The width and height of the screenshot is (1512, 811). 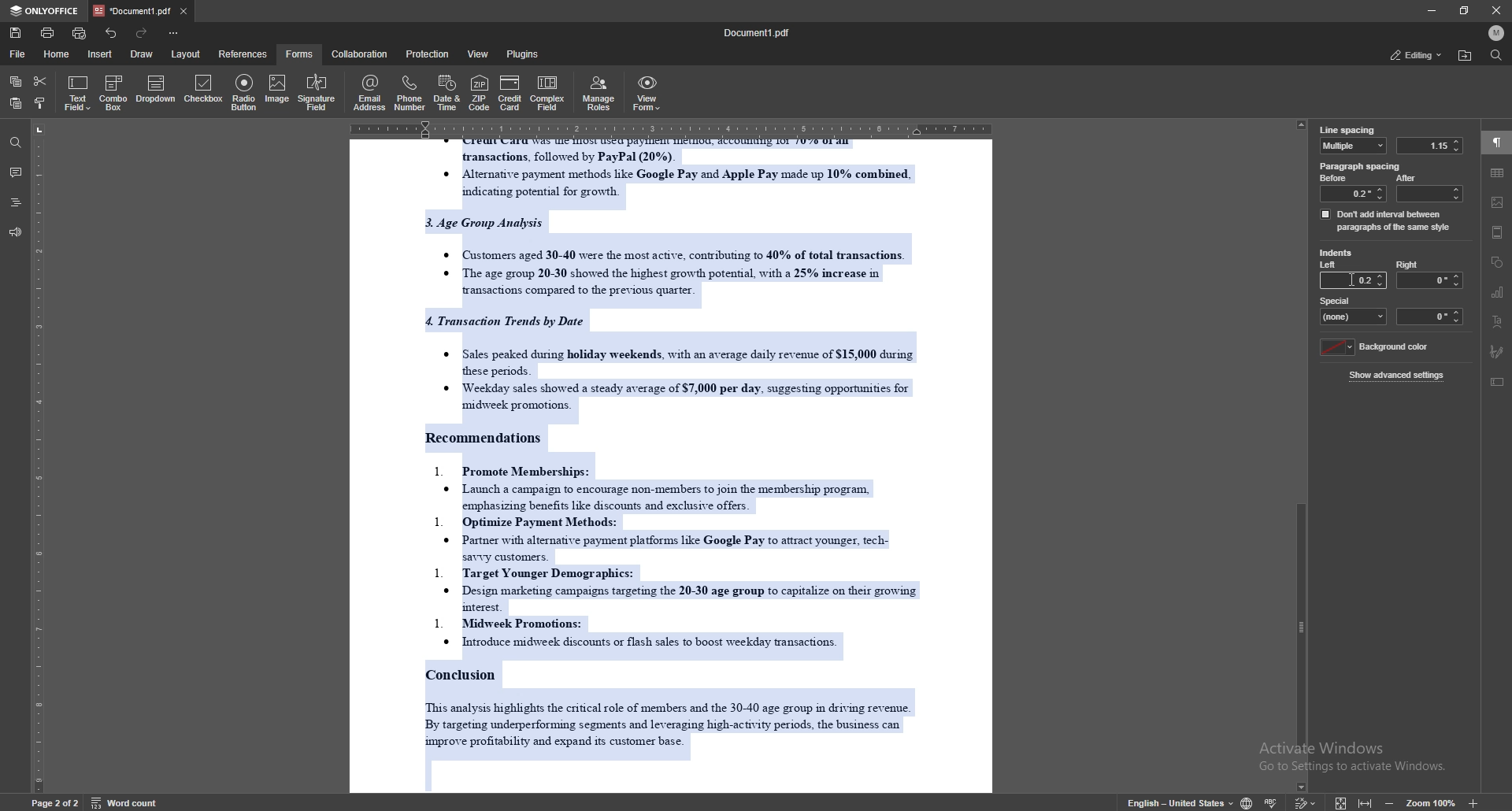 What do you see at coordinates (1472, 803) in the screenshot?
I see `zoom in` at bounding box center [1472, 803].